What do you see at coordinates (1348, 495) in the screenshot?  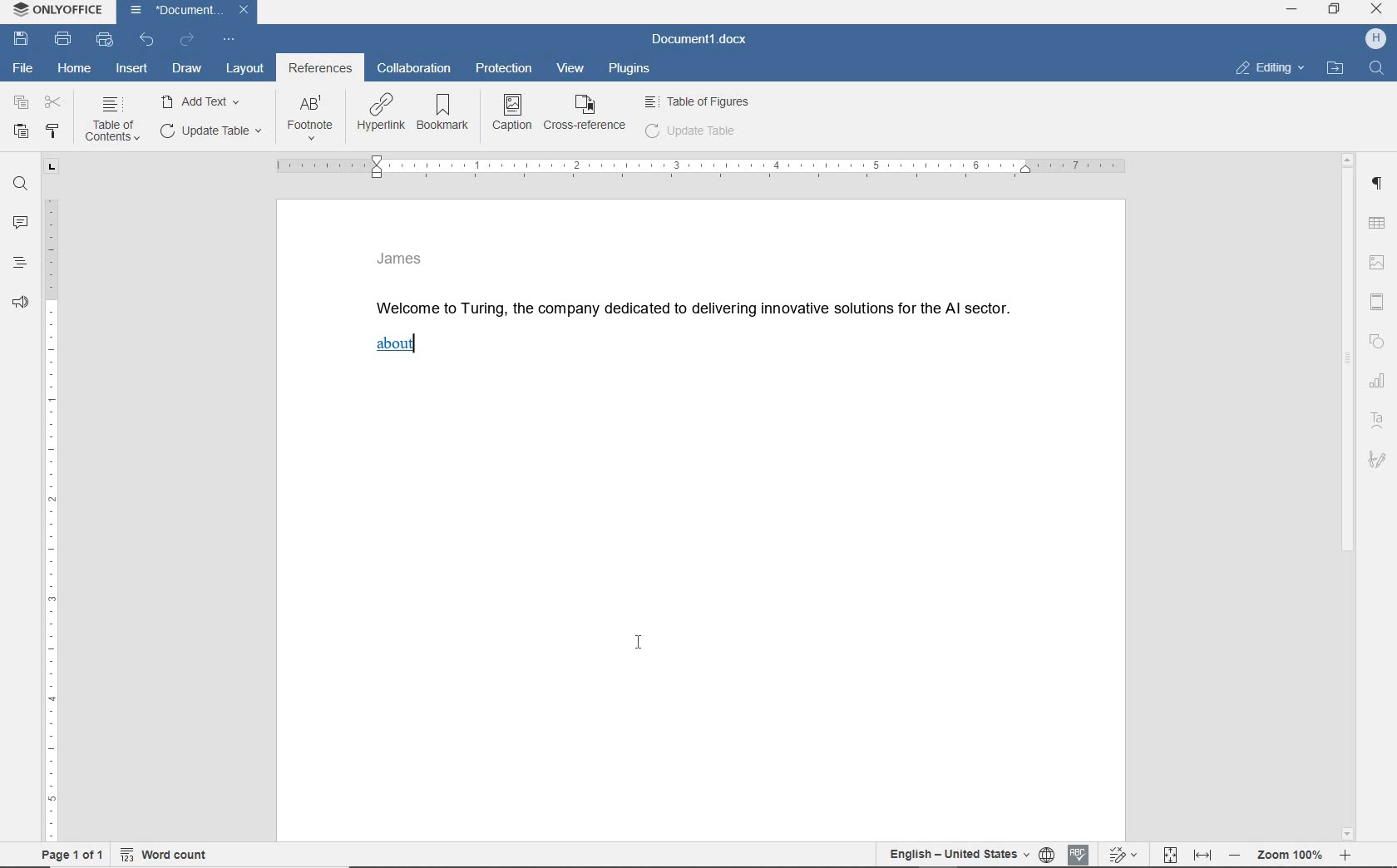 I see `scrollbar` at bounding box center [1348, 495].